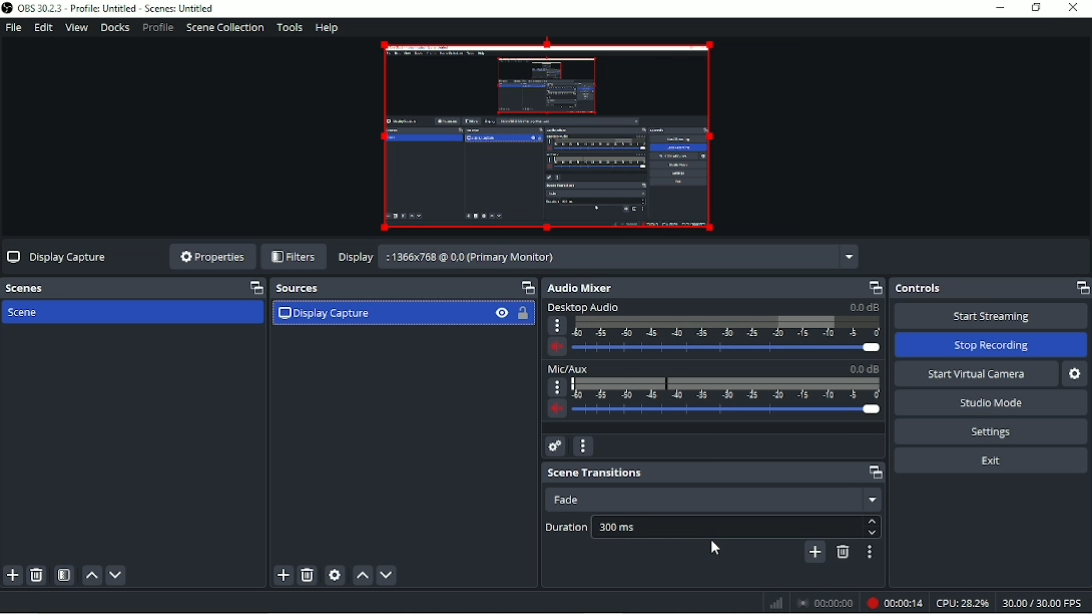  I want to click on Start streaming, so click(992, 316).